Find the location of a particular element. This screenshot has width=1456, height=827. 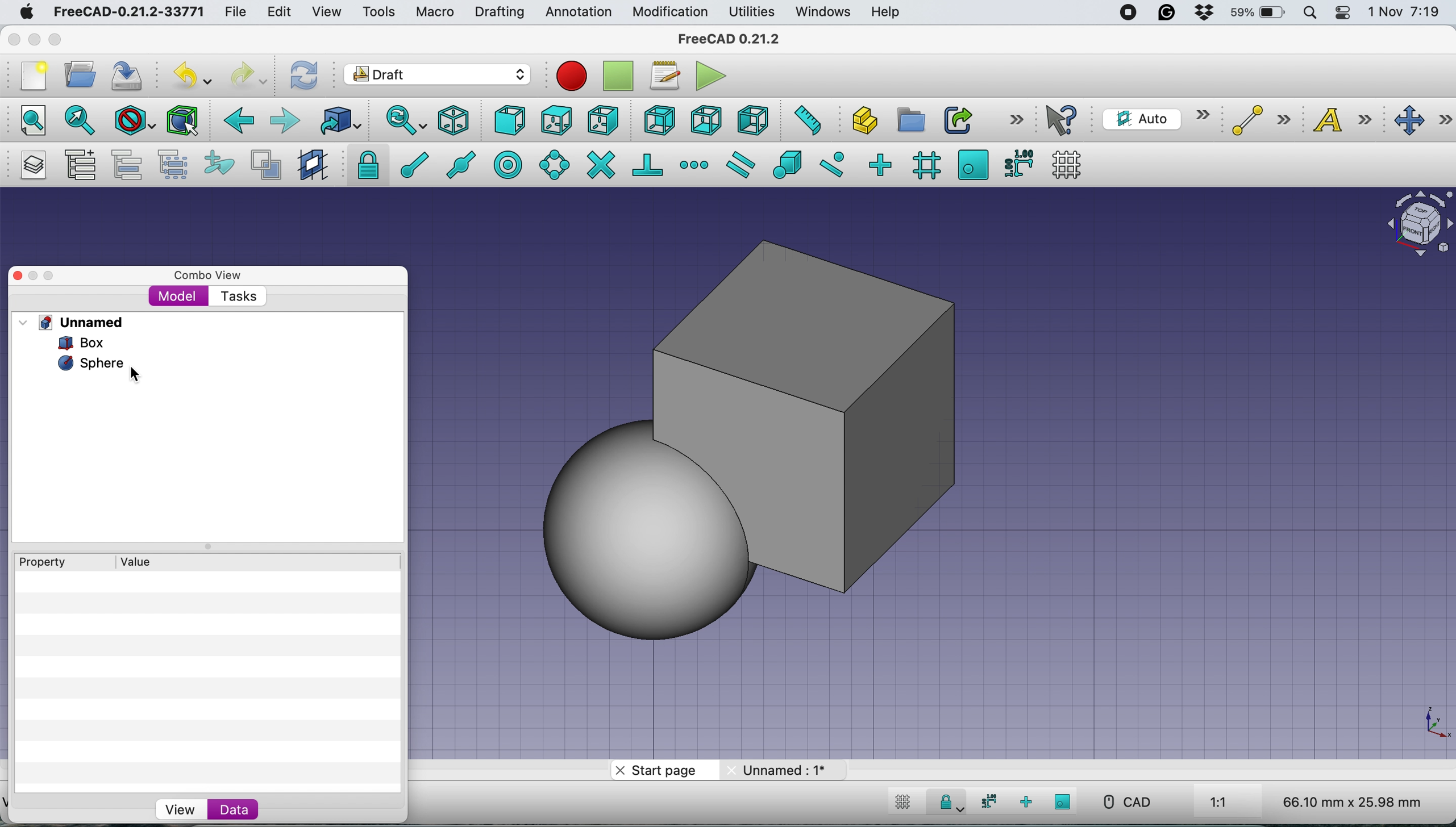

save is located at coordinates (128, 76).